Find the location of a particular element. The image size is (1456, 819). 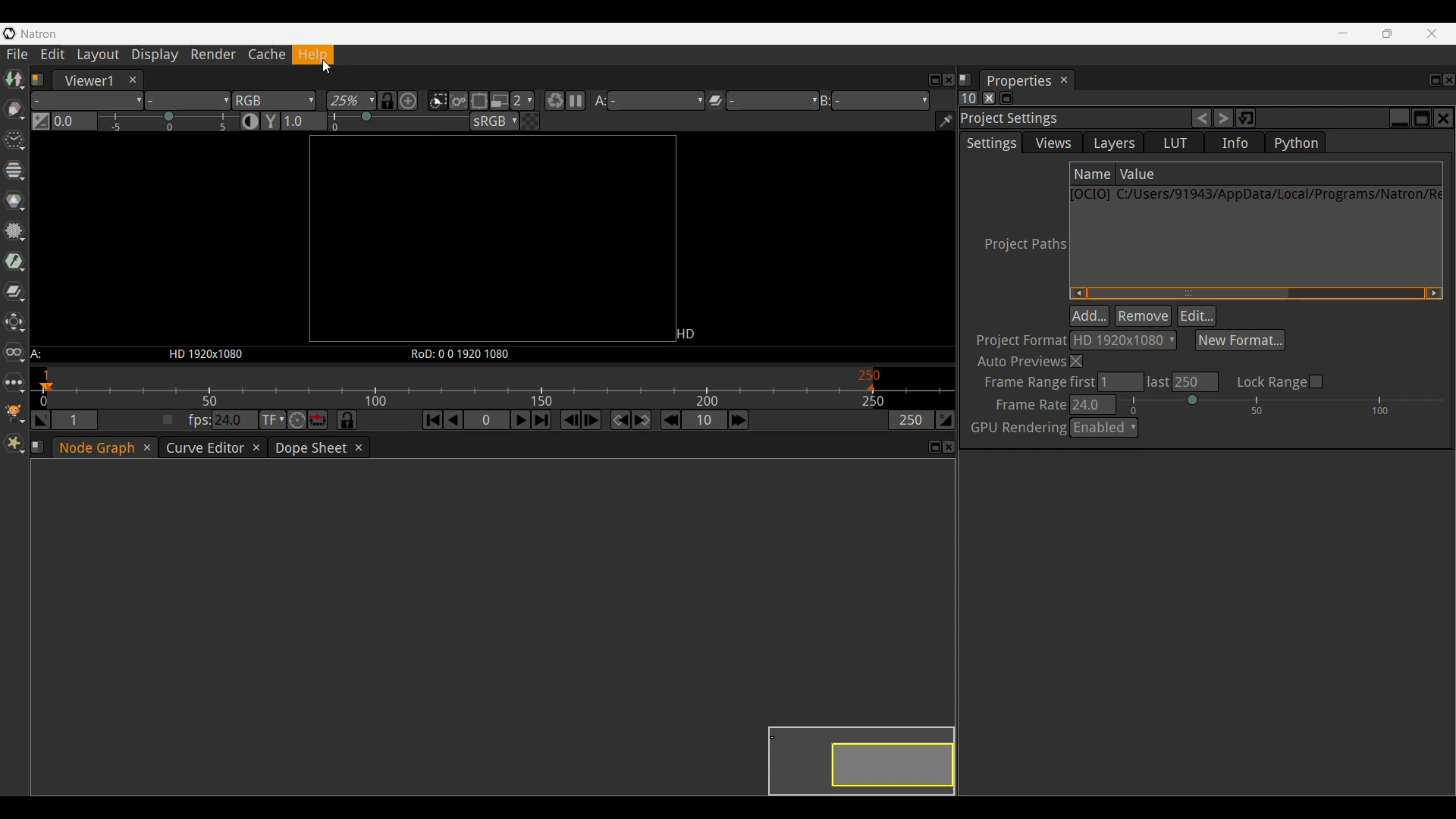

Alpha channel is located at coordinates (187, 101).